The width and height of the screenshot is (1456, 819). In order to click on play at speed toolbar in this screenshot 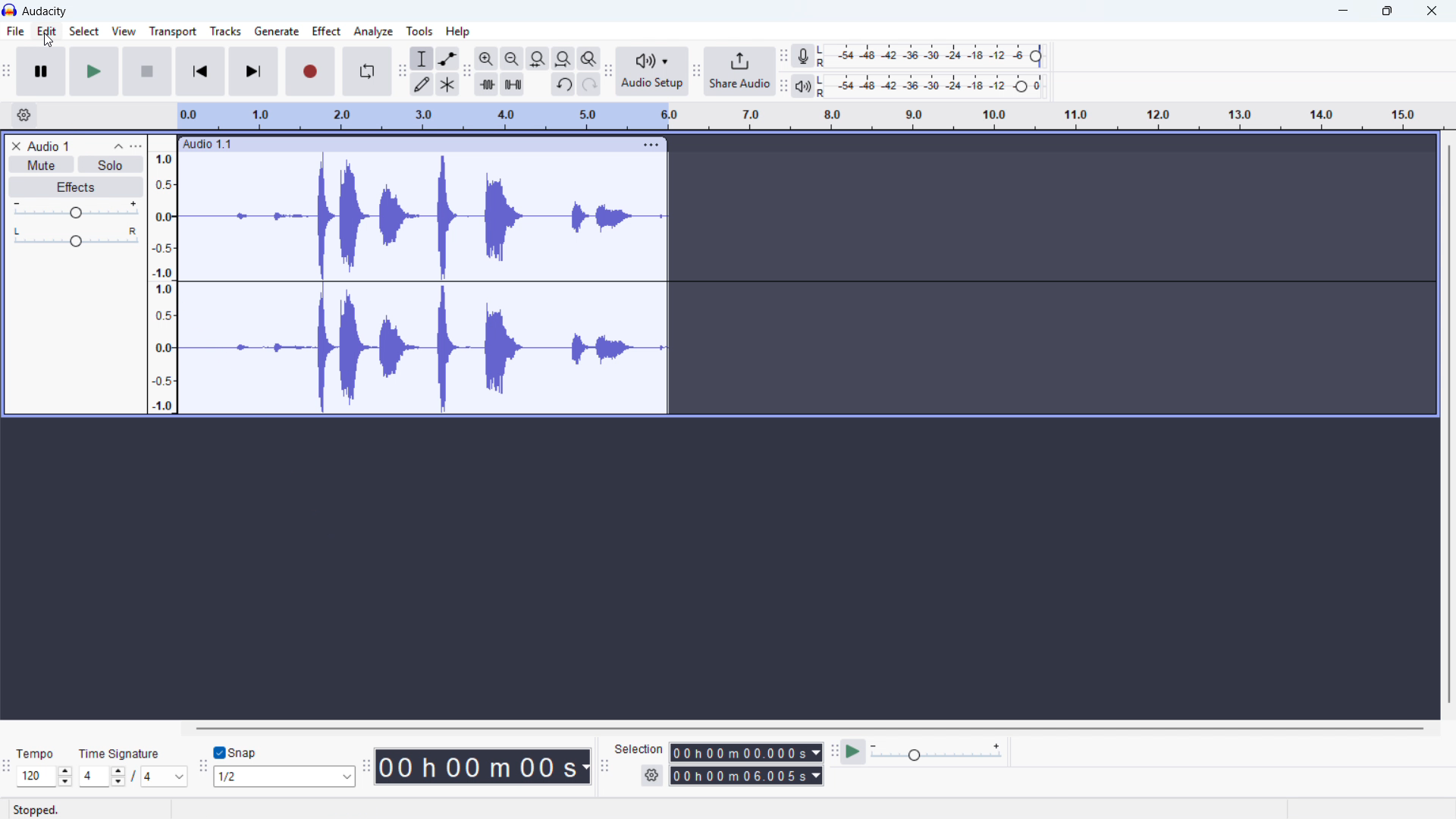, I will do `click(833, 753)`.